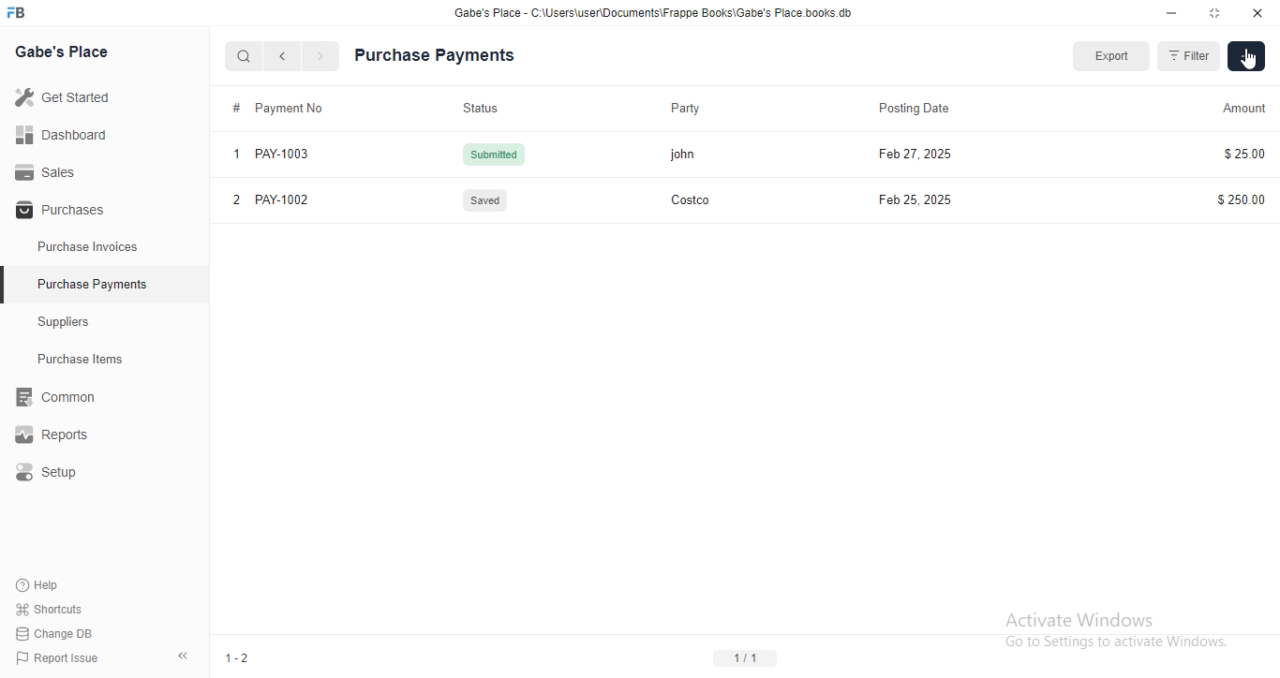 The width and height of the screenshot is (1280, 678). What do you see at coordinates (1248, 64) in the screenshot?
I see `cursor` at bounding box center [1248, 64].